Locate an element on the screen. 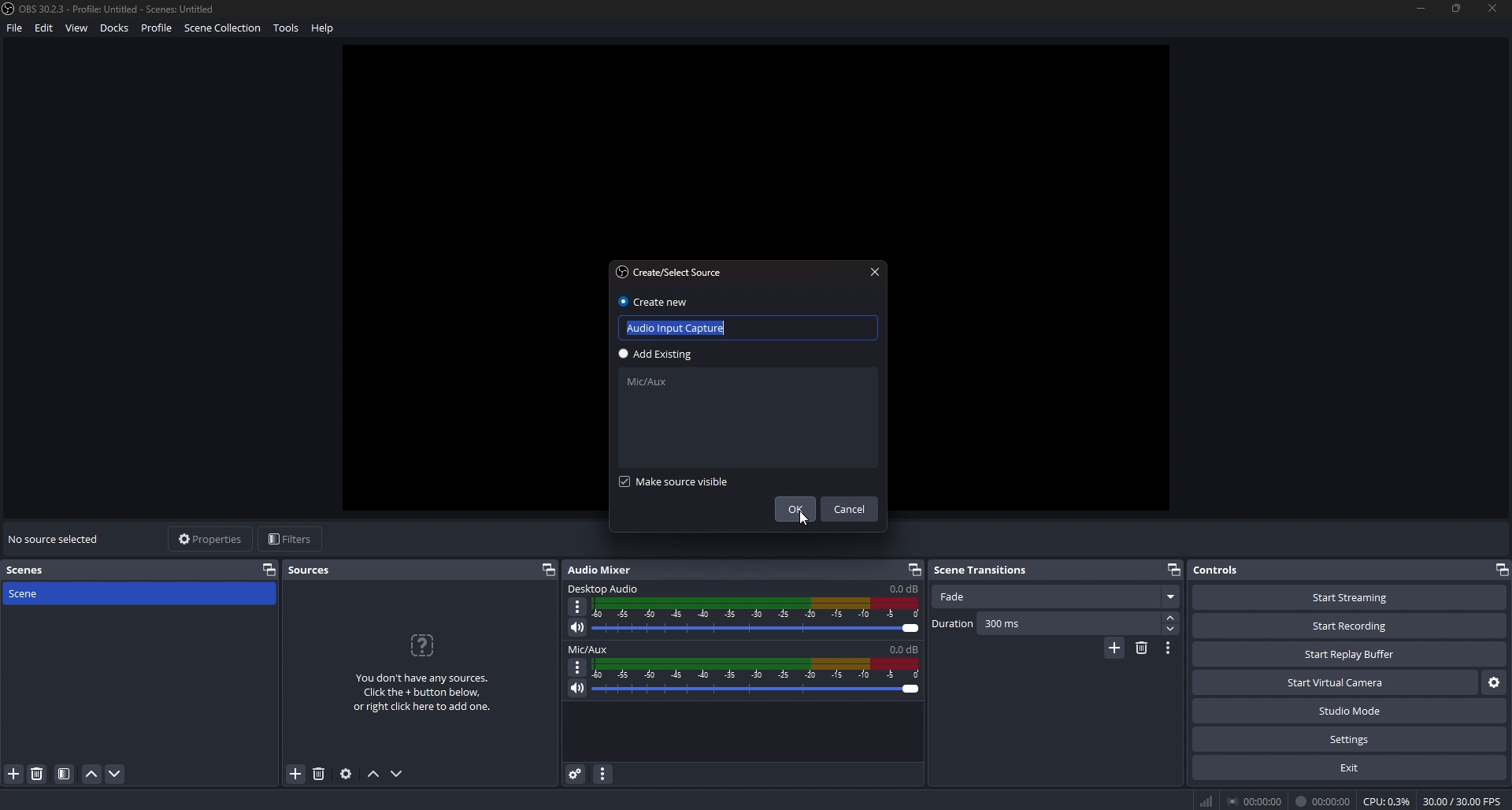  mic/aux is located at coordinates (591, 650).